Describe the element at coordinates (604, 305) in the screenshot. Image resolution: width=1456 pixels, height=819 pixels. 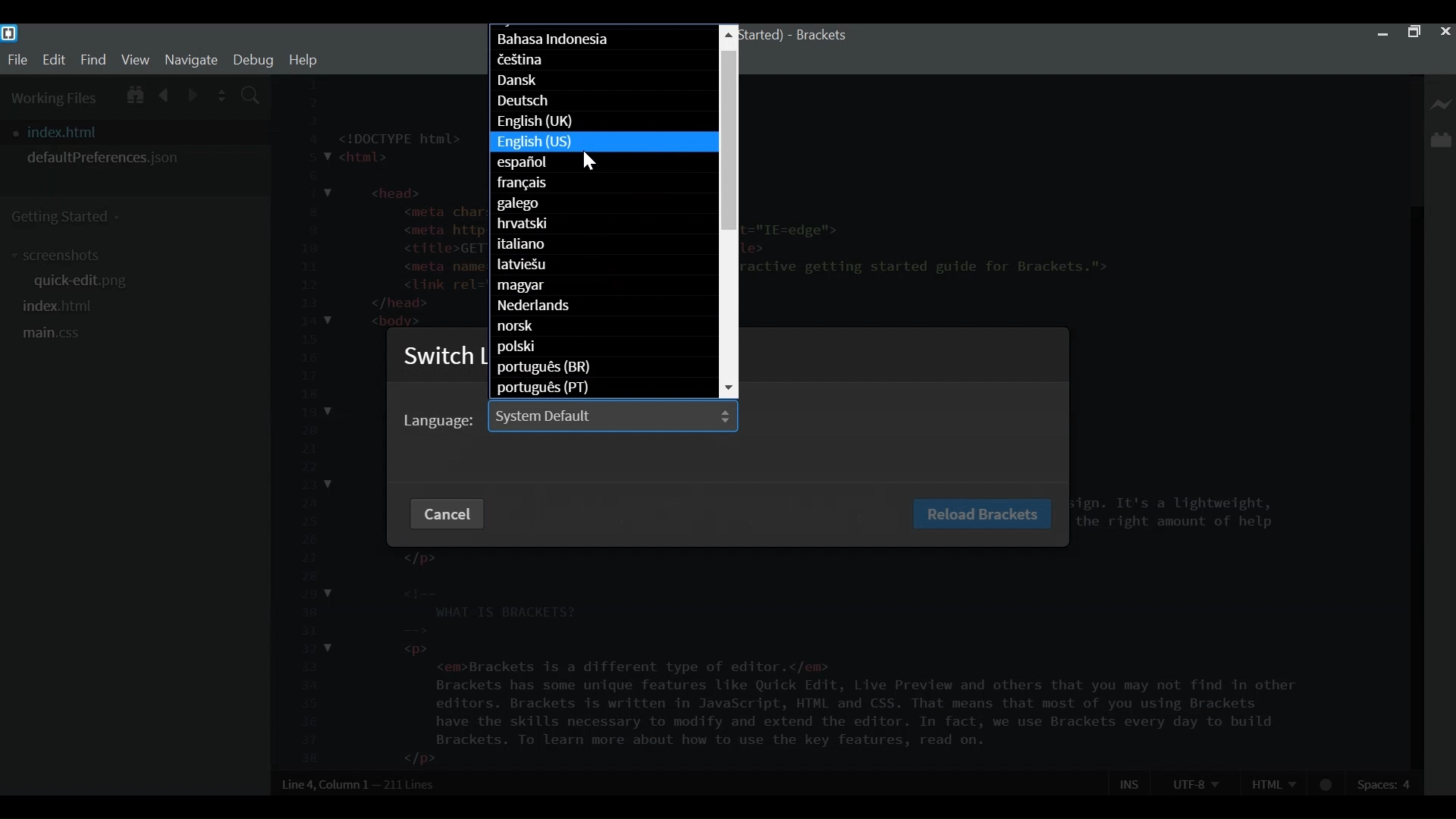
I see `Nederlands` at that location.